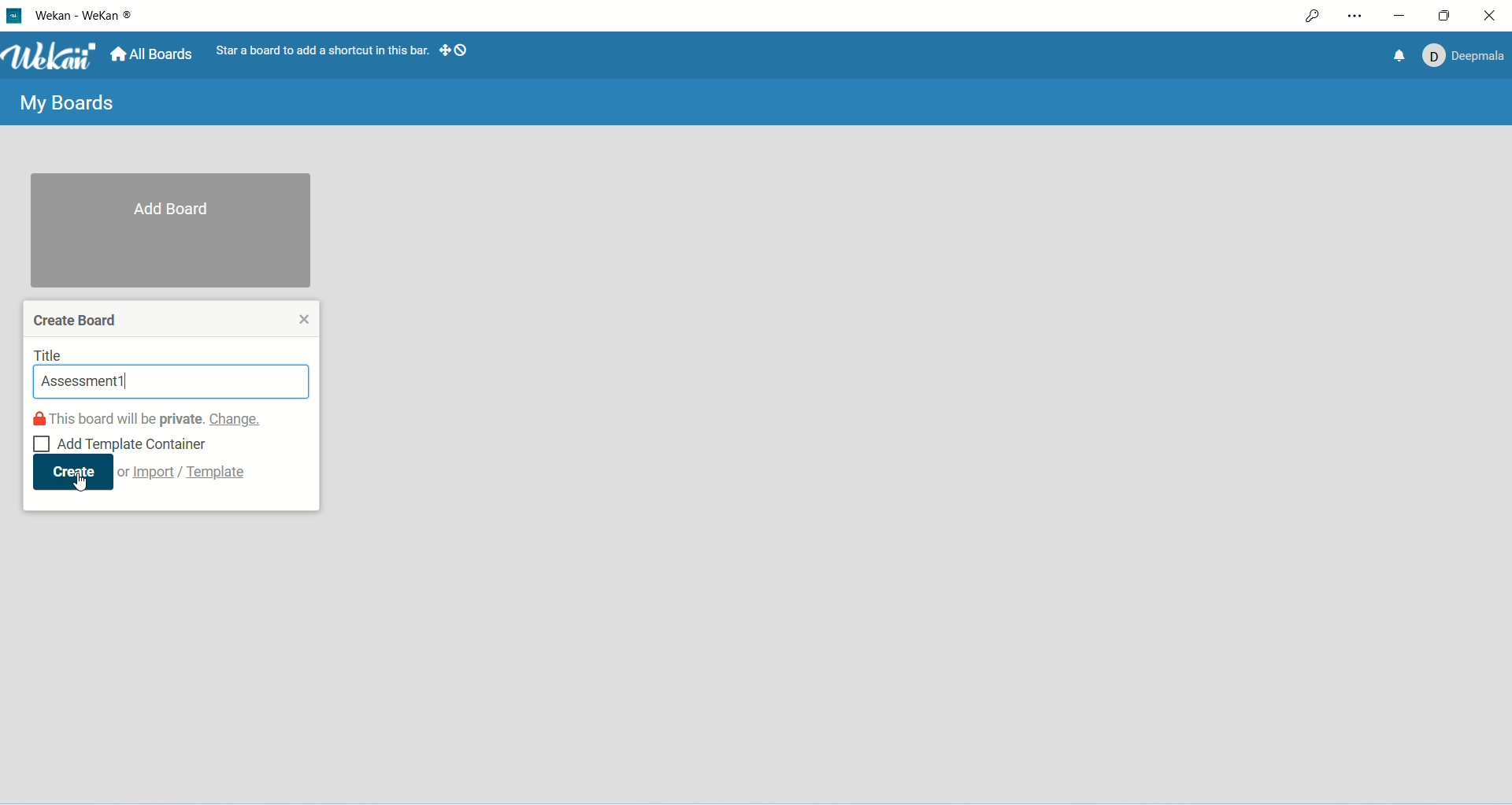  What do you see at coordinates (1444, 18) in the screenshot?
I see `maximize` at bounding box center [1444, 18].